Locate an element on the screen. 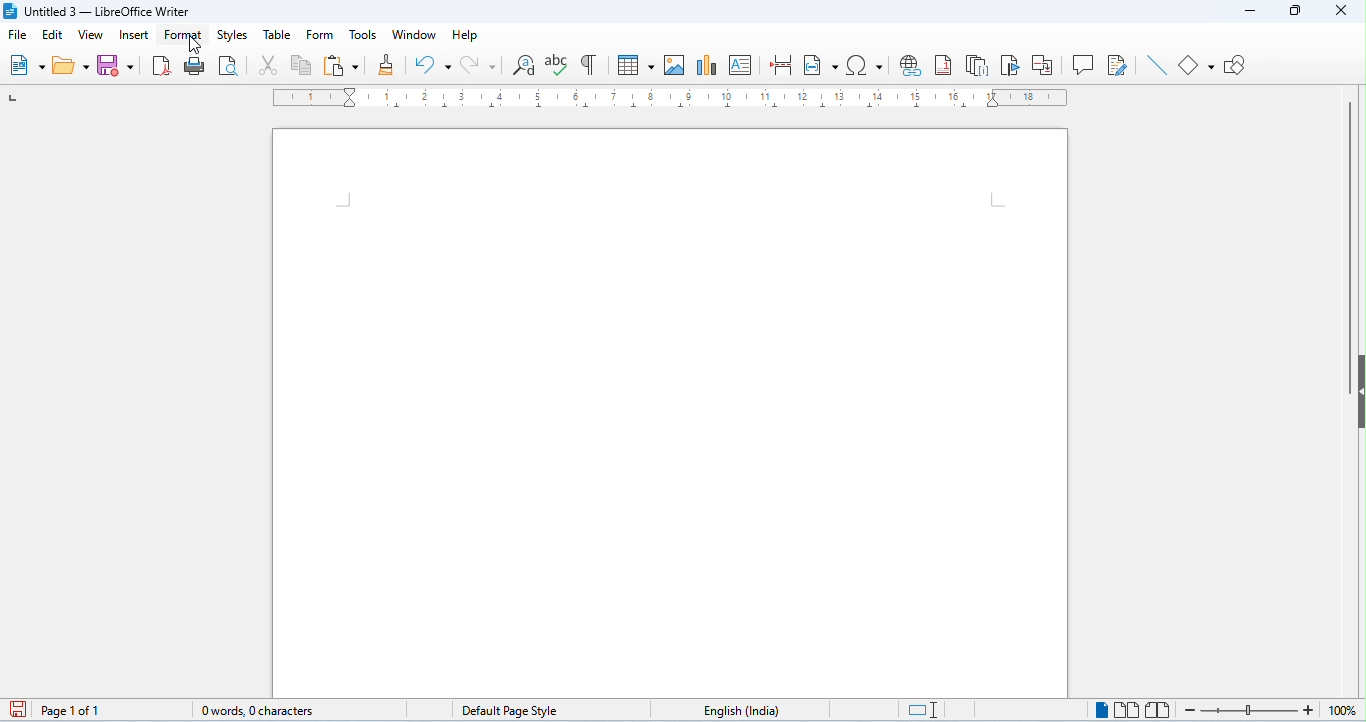  print is located at coordinates (196, 67).